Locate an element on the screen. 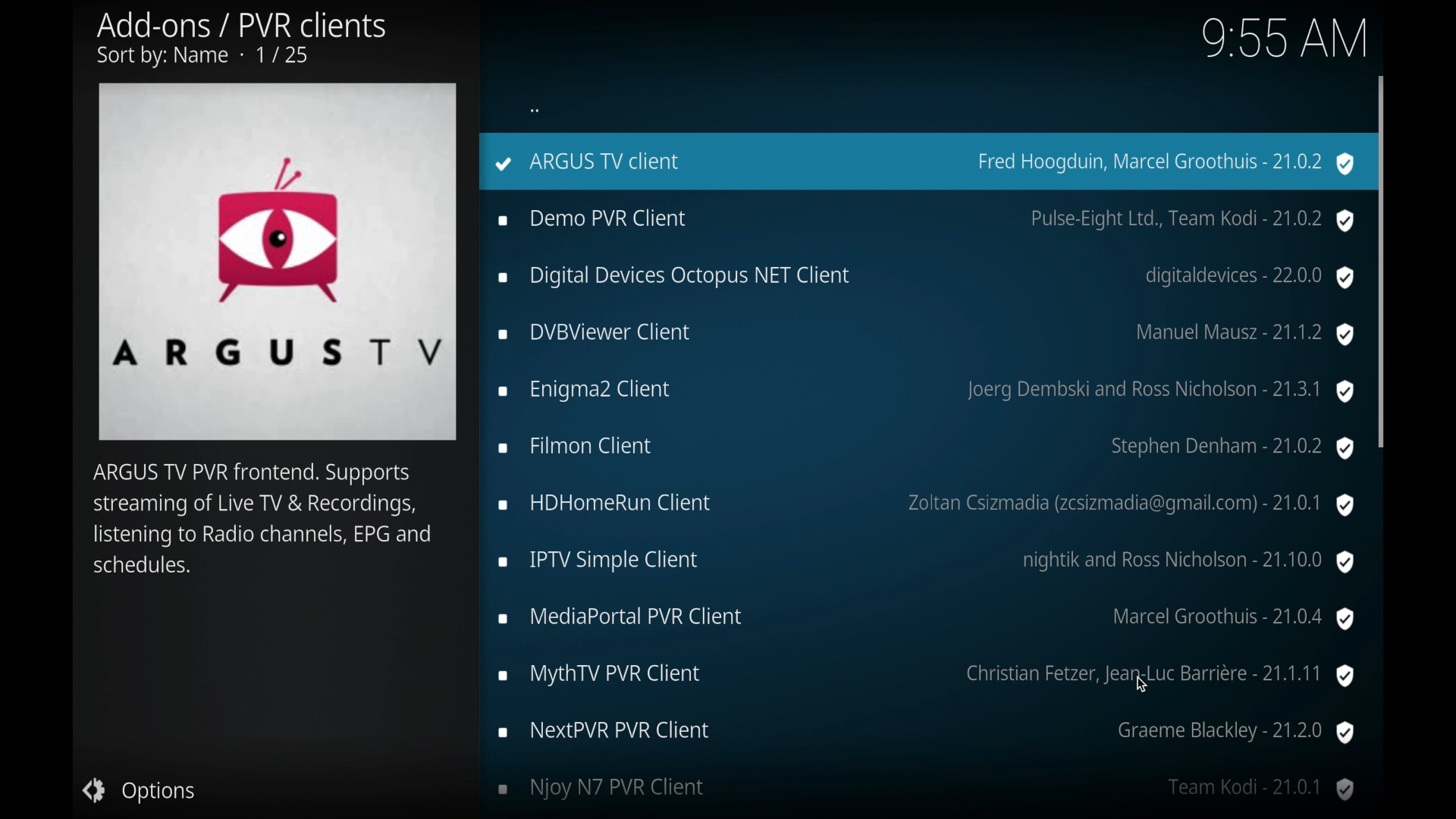 Image resolution: width=1456 pixels, height=819 pixels. time is located at coordinates (1283, 38).